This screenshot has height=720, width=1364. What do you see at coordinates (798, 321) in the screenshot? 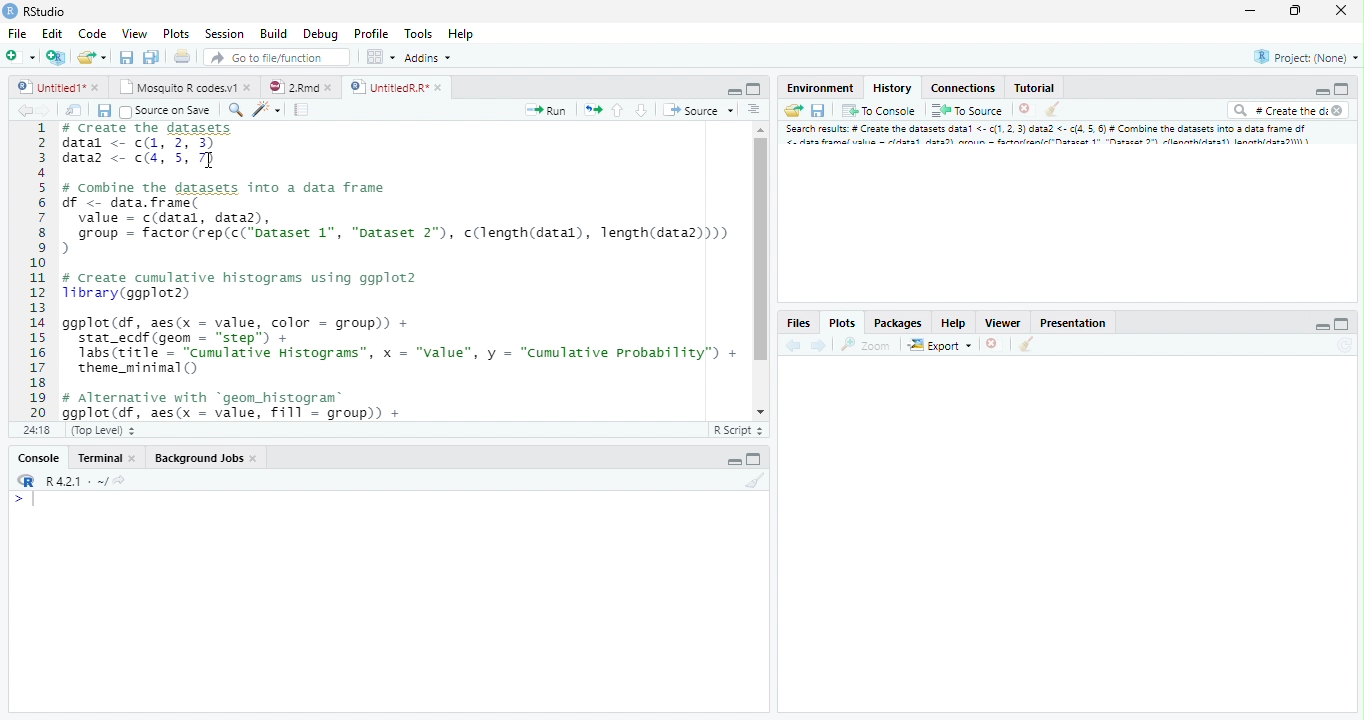
I see `Files` at bounding box center [798, 321].